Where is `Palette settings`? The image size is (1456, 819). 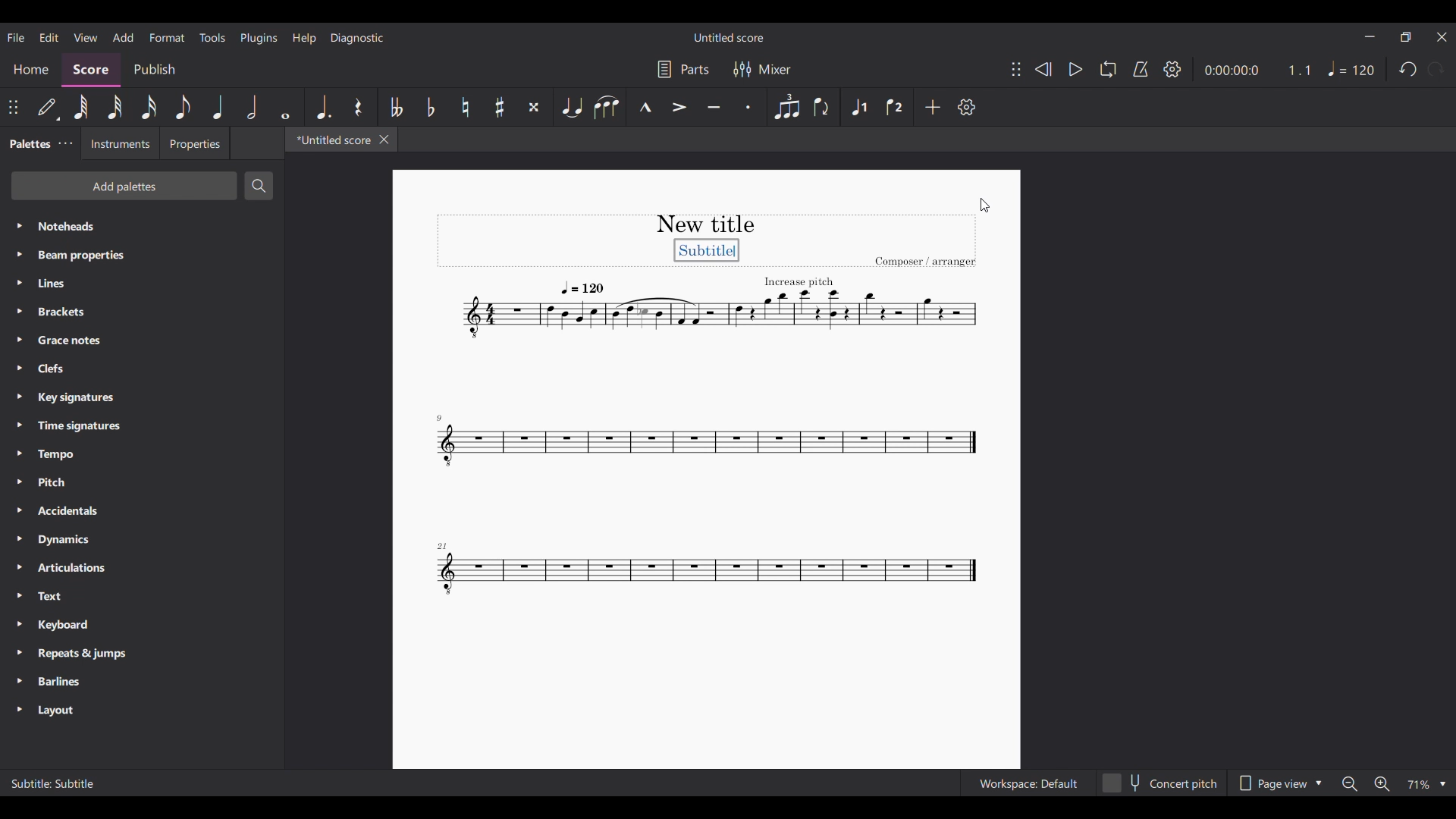
Palette settings is located at coordinates (65, 143).